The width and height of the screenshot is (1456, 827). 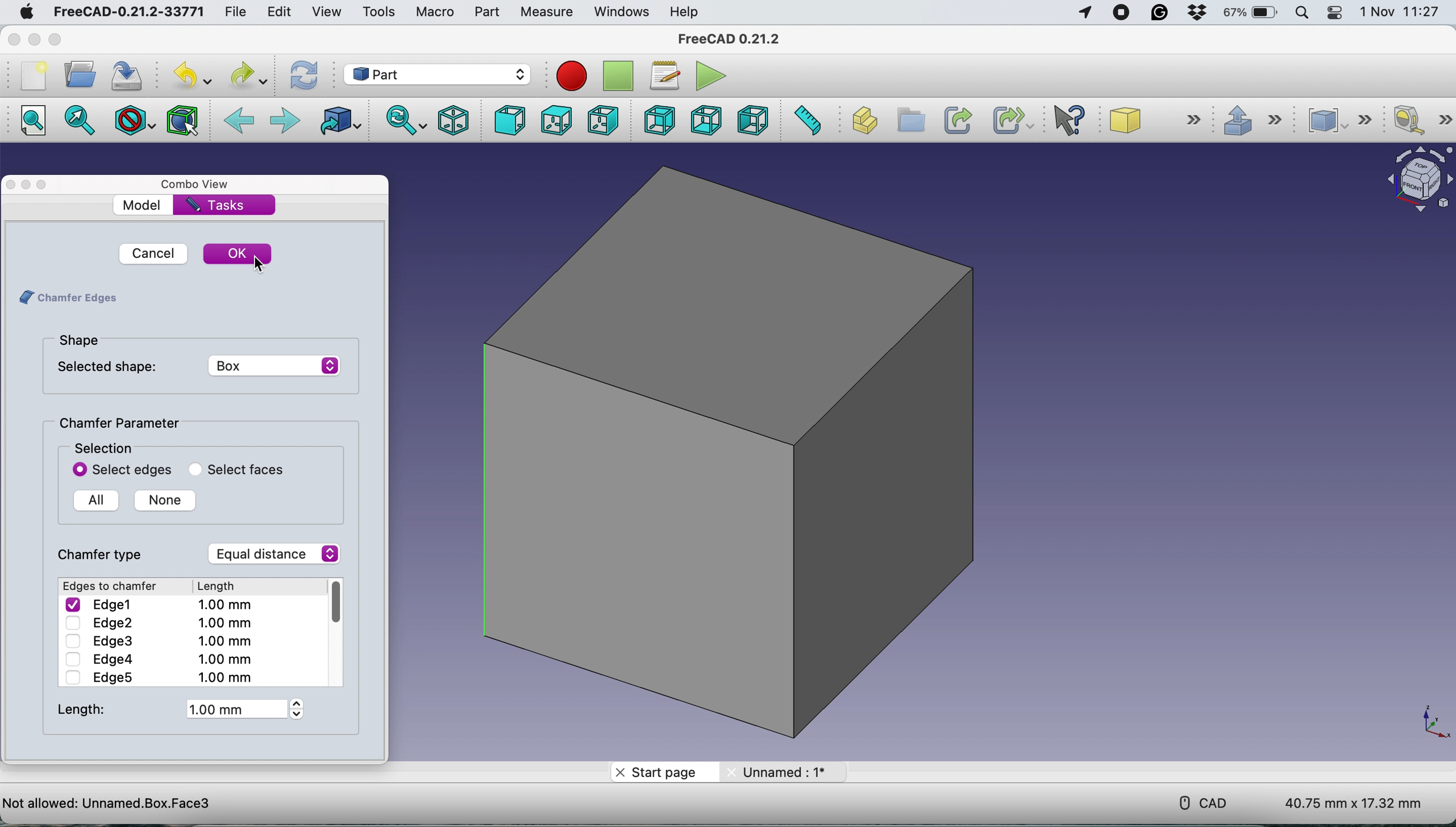 I want to click on system logo, so click(x=27, y=10).